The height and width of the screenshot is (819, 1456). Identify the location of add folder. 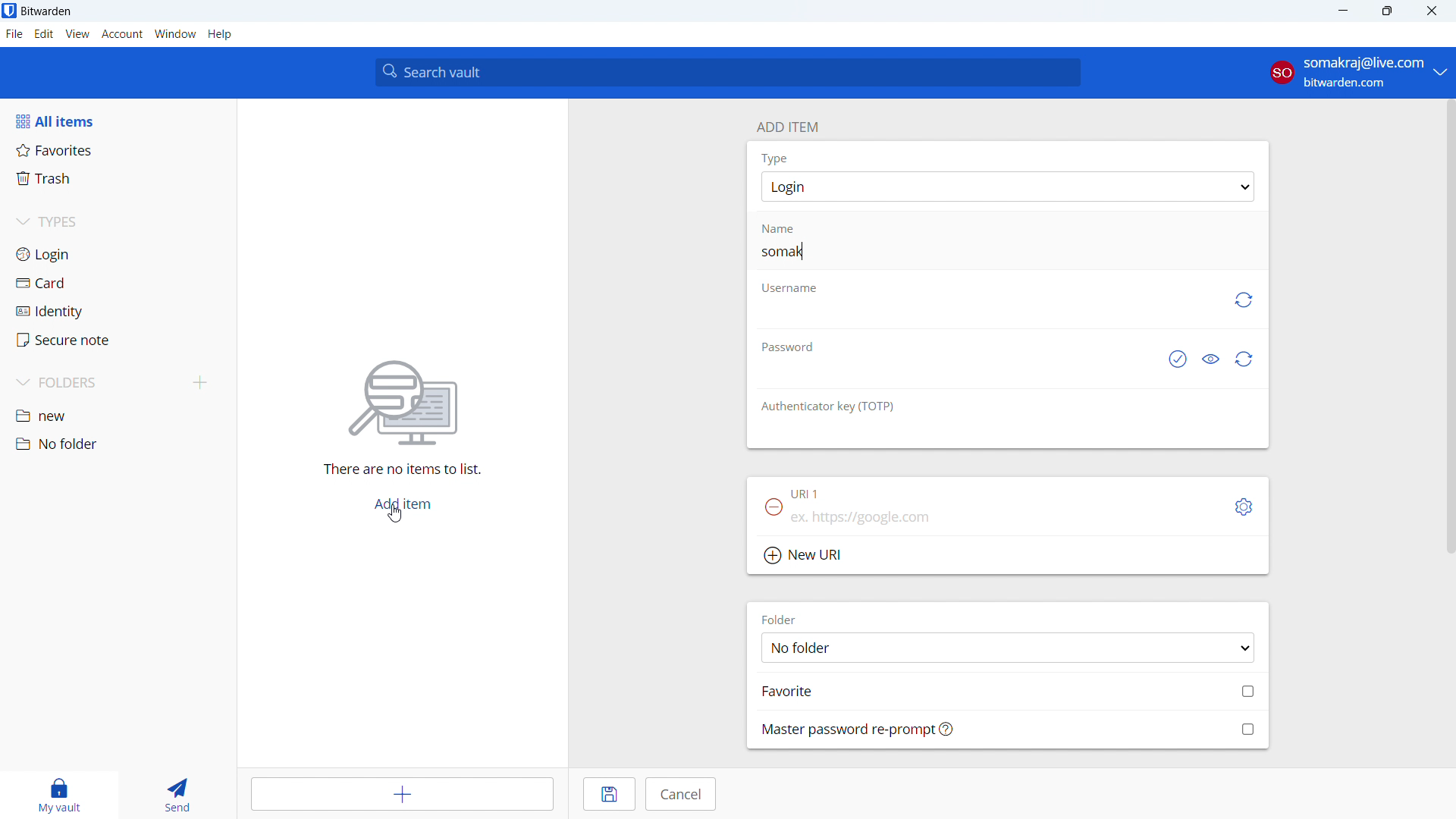
(200, 384).